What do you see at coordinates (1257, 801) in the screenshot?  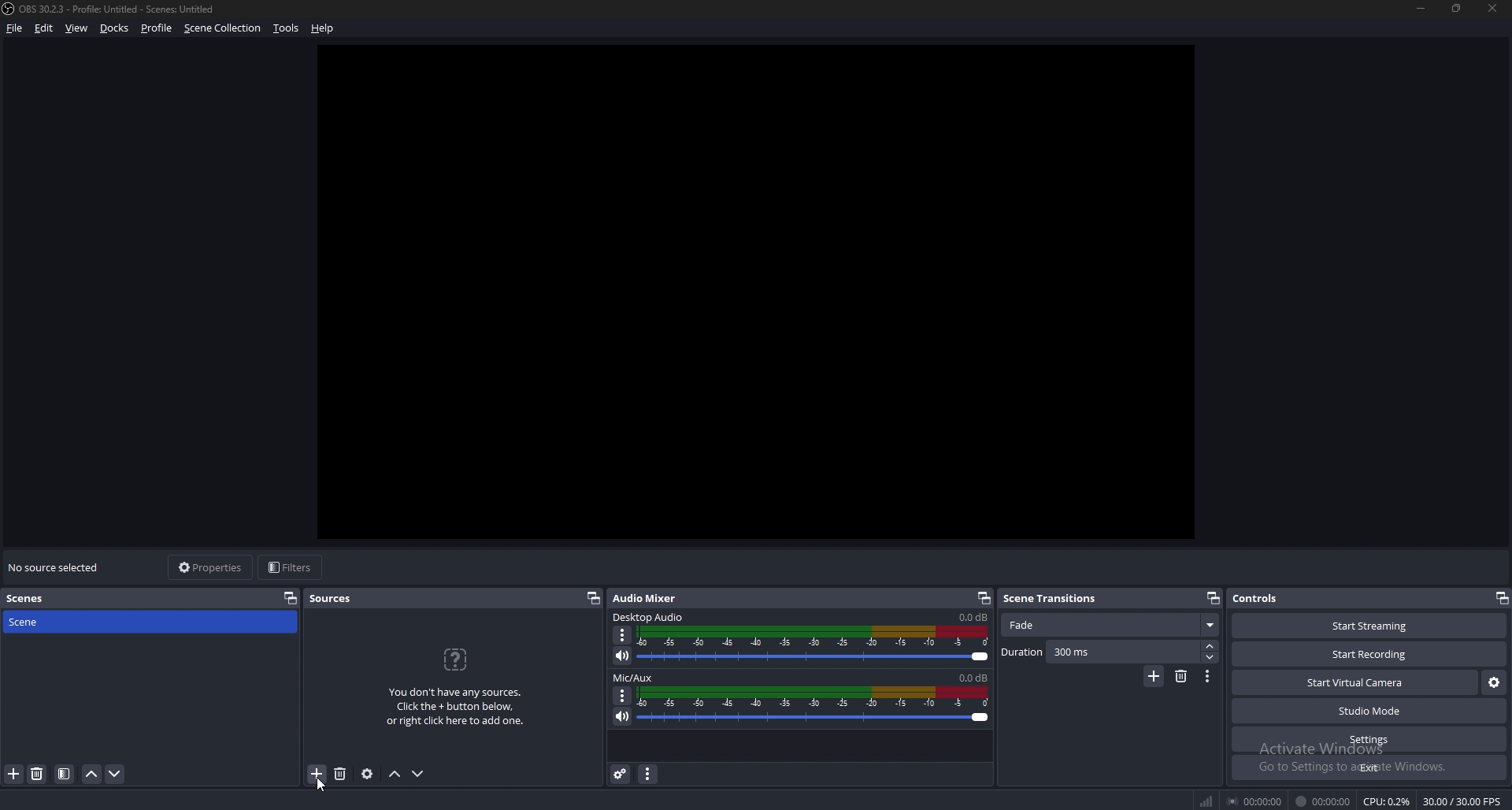 I see `00:00:00` at bounding box center [1257, 801].